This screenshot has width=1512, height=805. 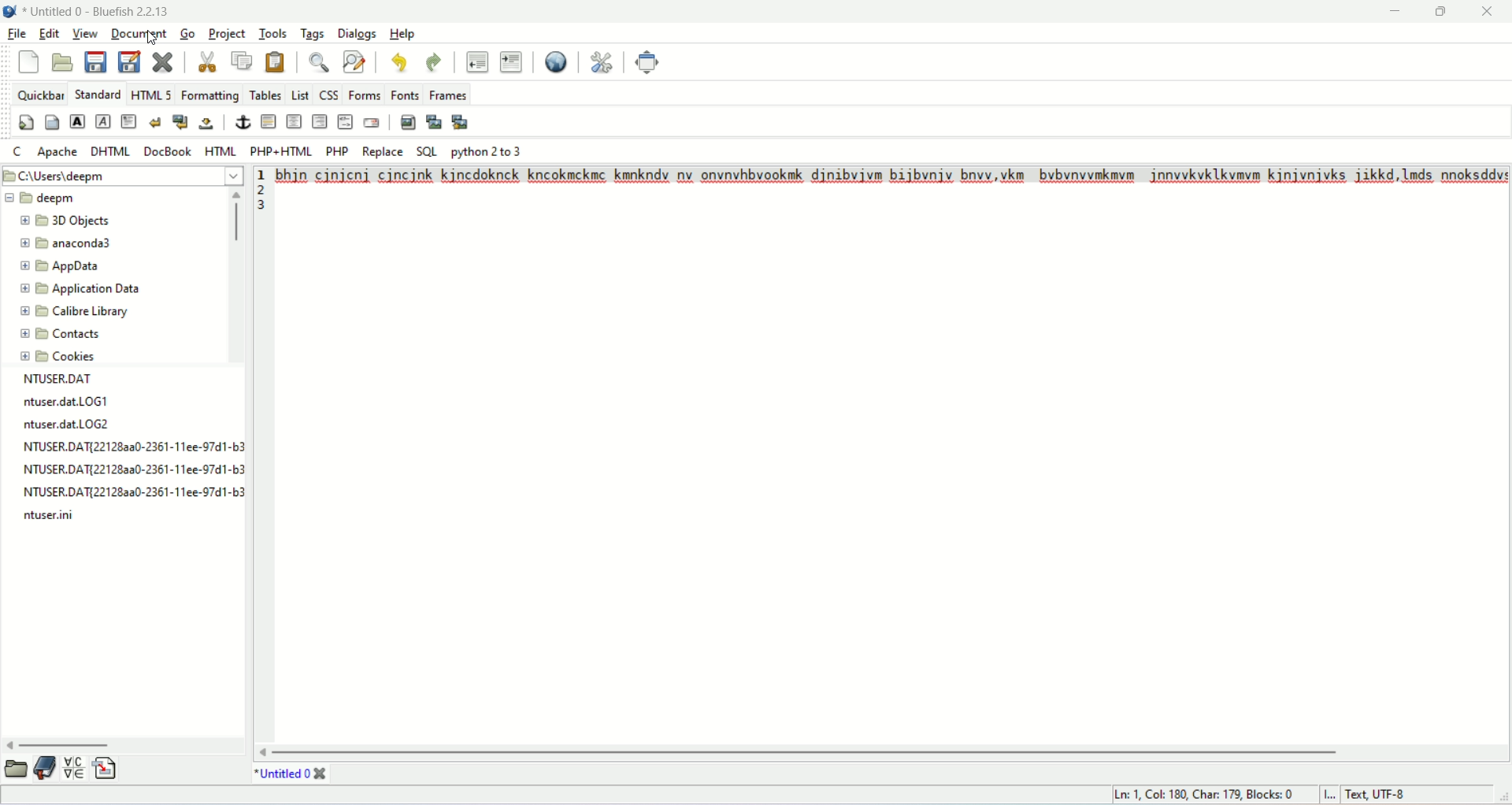 What do you see at coordinates (22, 154) in the screenshot?
I see `C` at bounding box center [22, 154].